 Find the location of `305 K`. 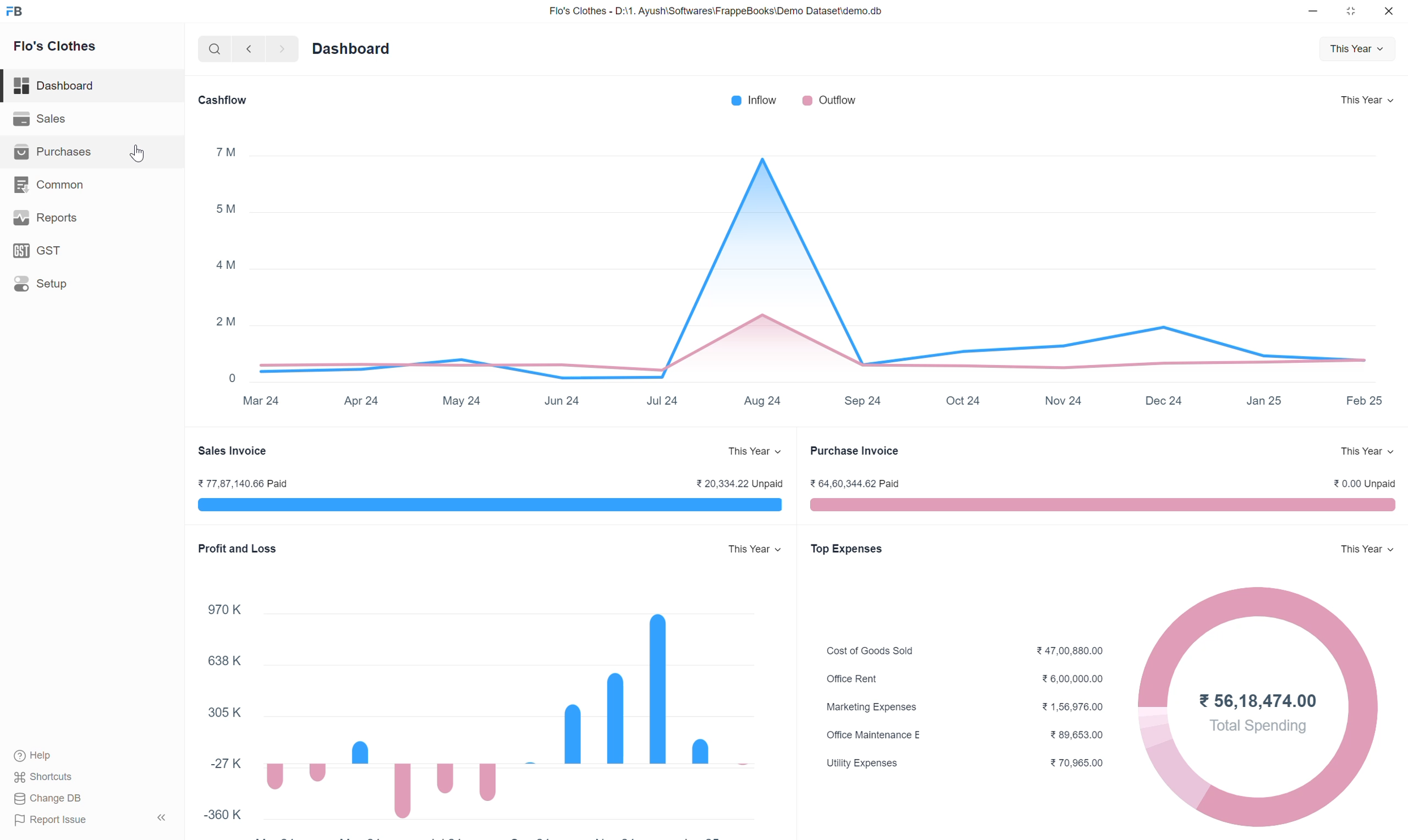

305 K is located at coordinates (225, 712).